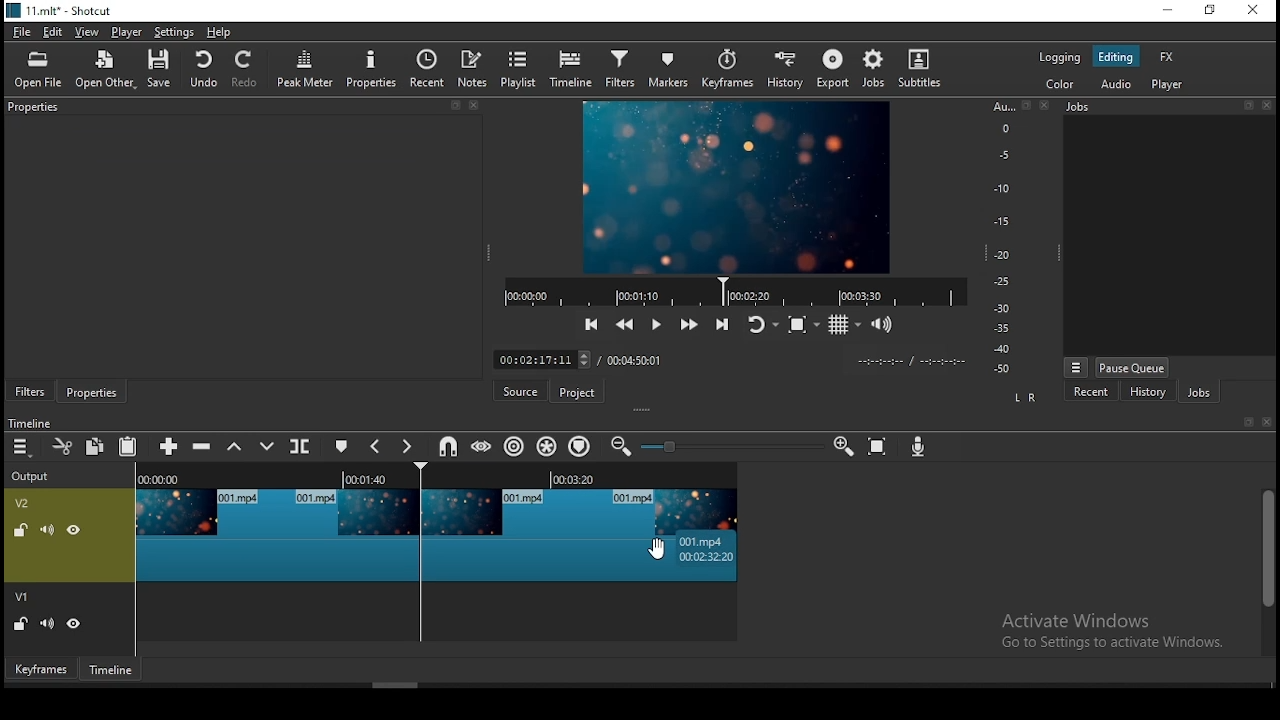 This screenshot has width=1280, height=720. What do you see at coordinates (25, 503) in the screenshot?
I see `V2` at bounding box center [25, 503].